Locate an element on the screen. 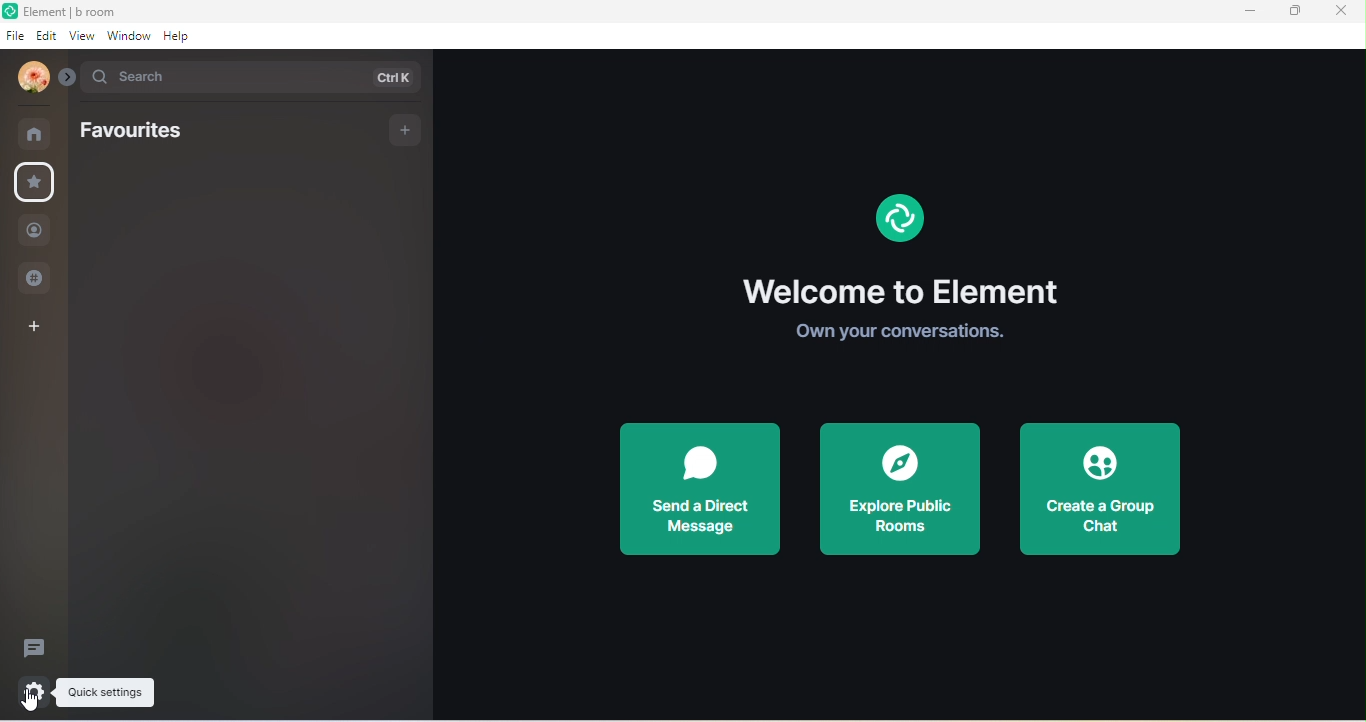  window is located at coordinates (130, 37).